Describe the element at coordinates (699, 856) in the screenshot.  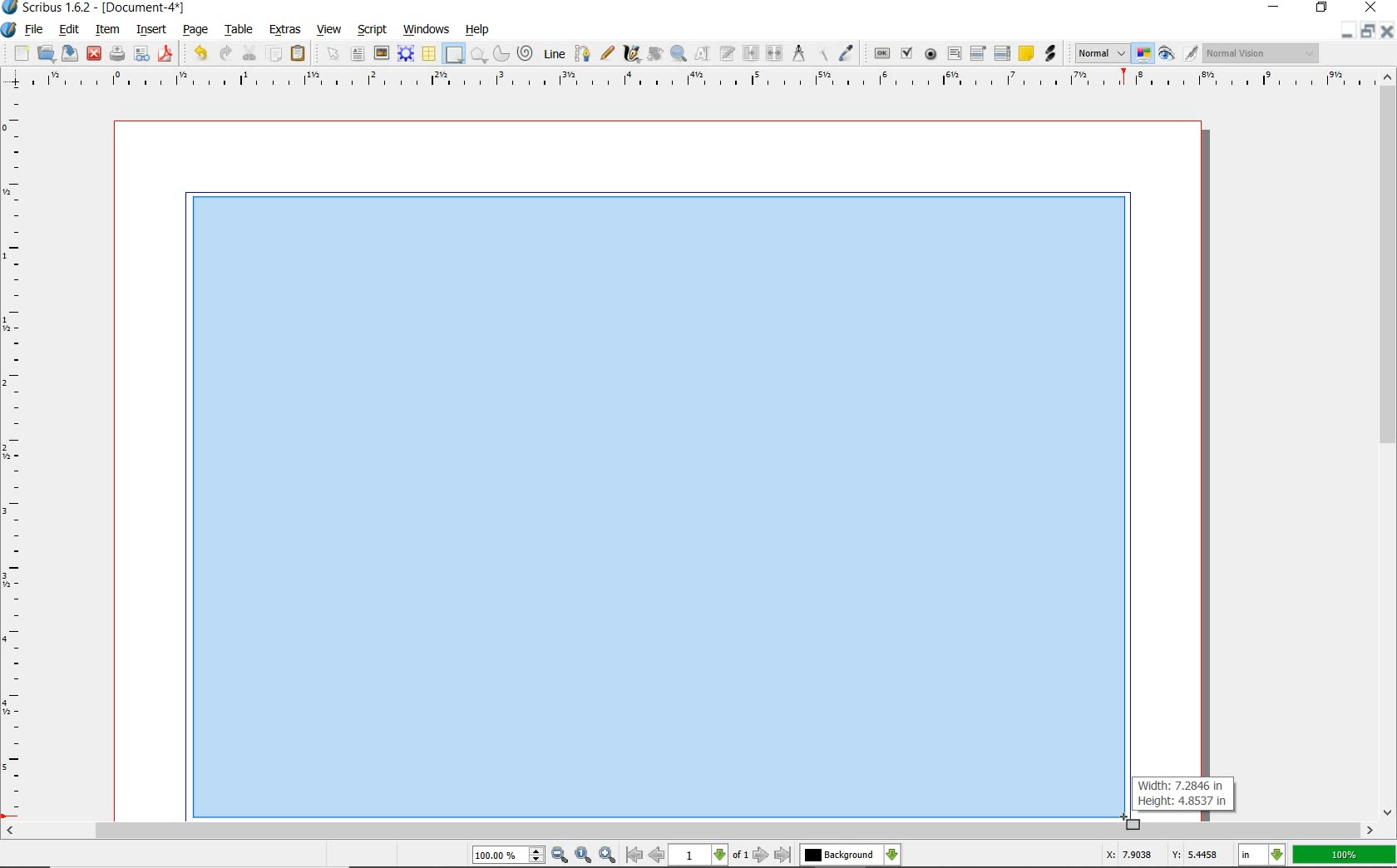
I see `1` at that location.